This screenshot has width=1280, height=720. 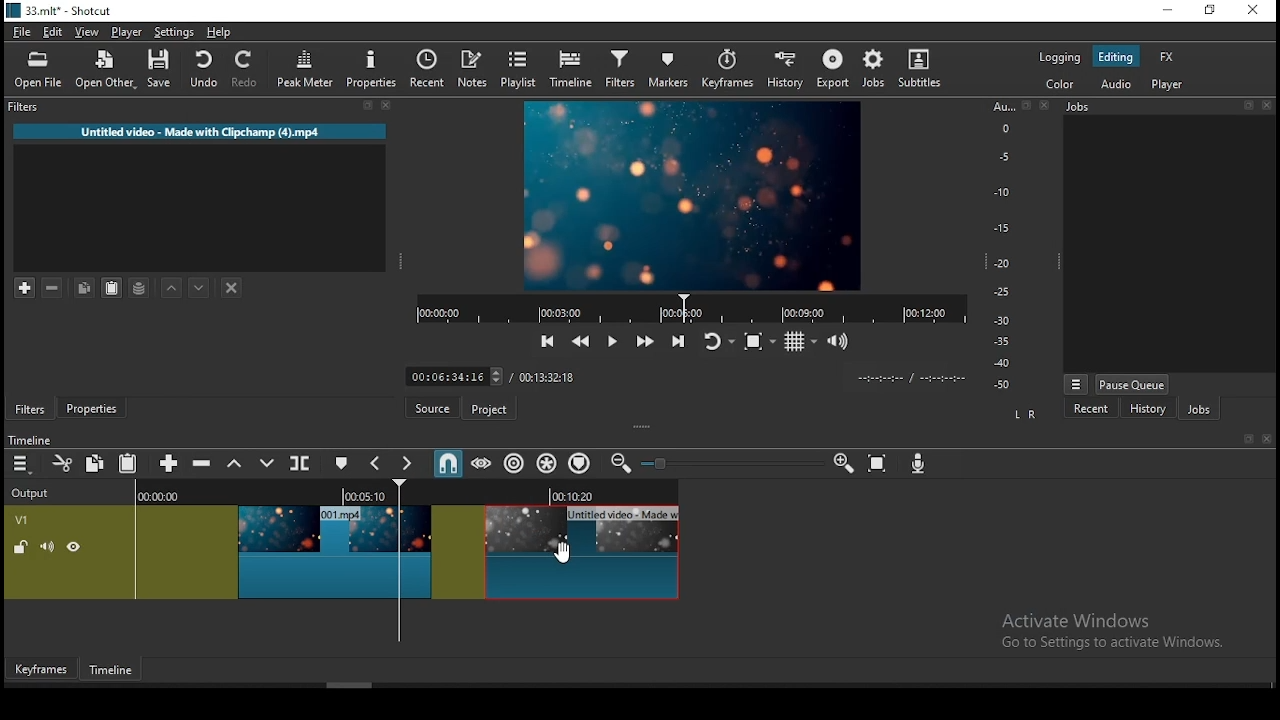 What do you see at coordinates (1250, 106) in the screenshot?
I see `` at bounding box center [1250, 106].